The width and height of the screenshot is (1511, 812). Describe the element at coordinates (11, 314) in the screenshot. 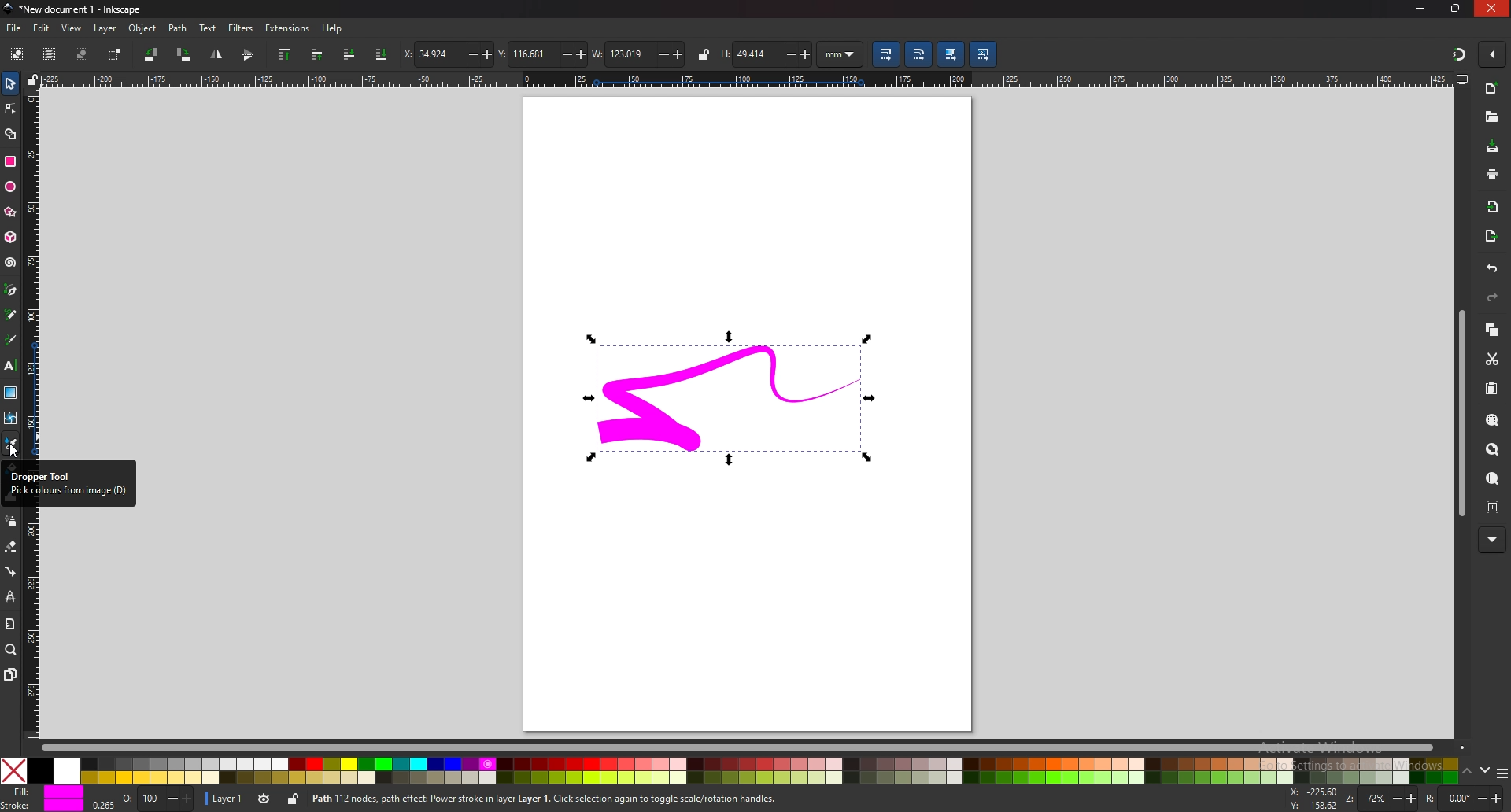

I see `pencil` at that location.